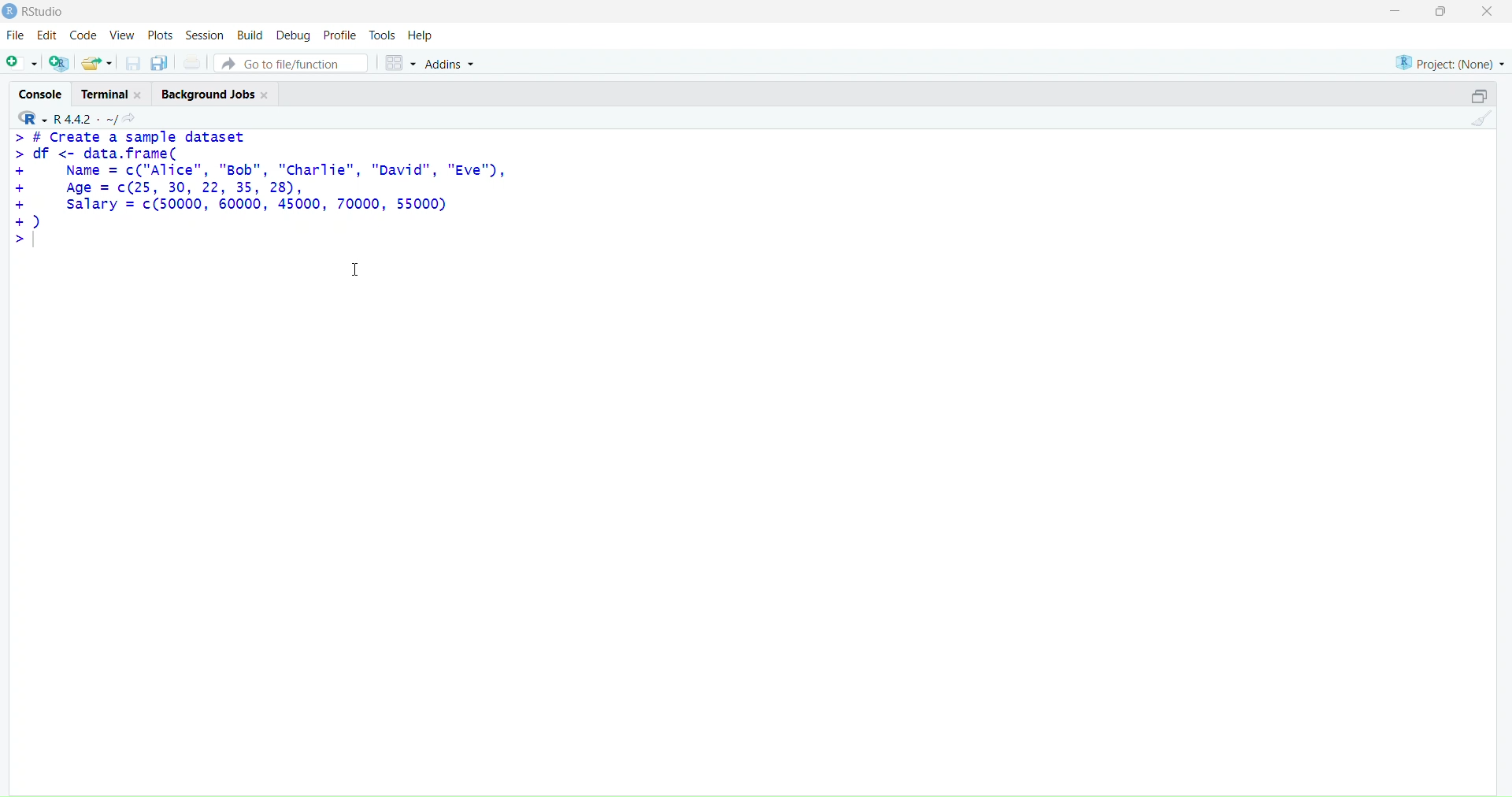 The height and width of the screenshot is (797, 1512). I want to click on open an existing file, so click(98, 65).